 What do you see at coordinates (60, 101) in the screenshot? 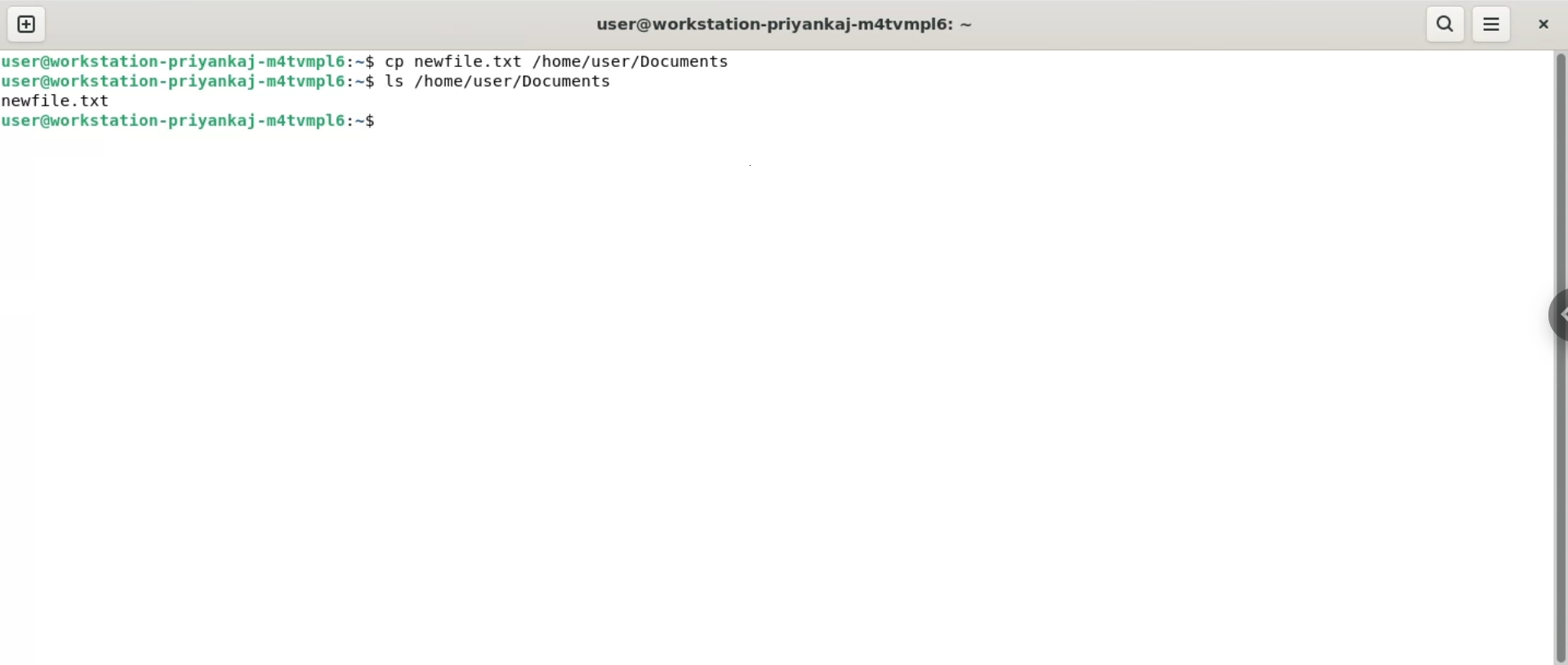
I see `newfile.txt` at bounding box center [60, 101].